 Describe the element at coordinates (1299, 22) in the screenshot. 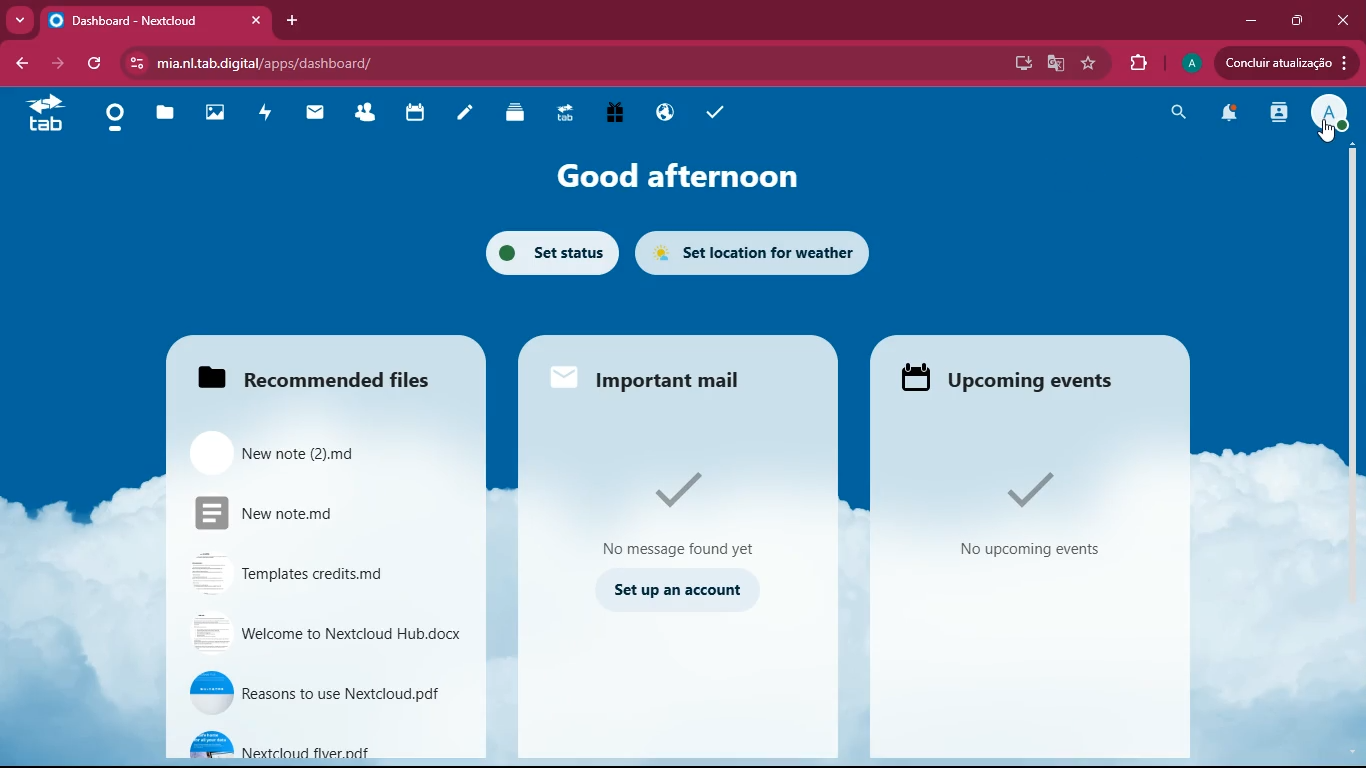

I see `maximize` at that location.